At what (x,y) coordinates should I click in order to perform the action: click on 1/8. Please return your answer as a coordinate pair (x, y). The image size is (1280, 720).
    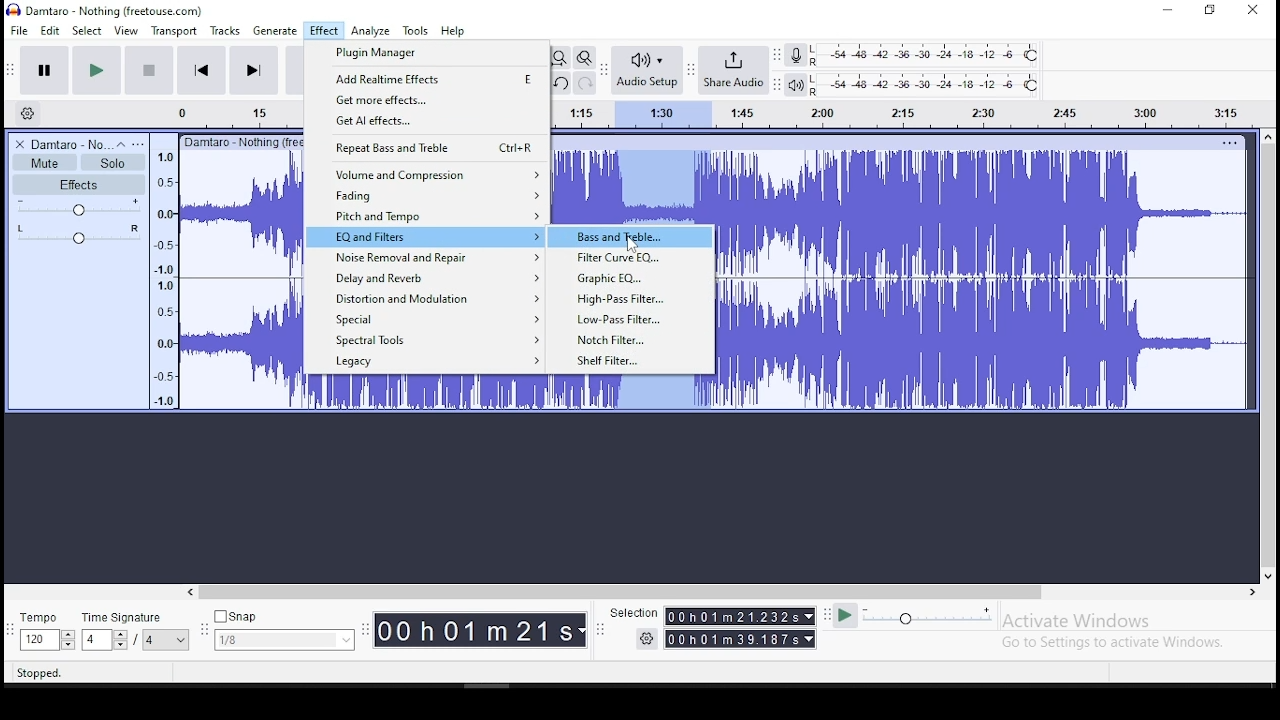
    Looking at the image, I should click on (269, 640).